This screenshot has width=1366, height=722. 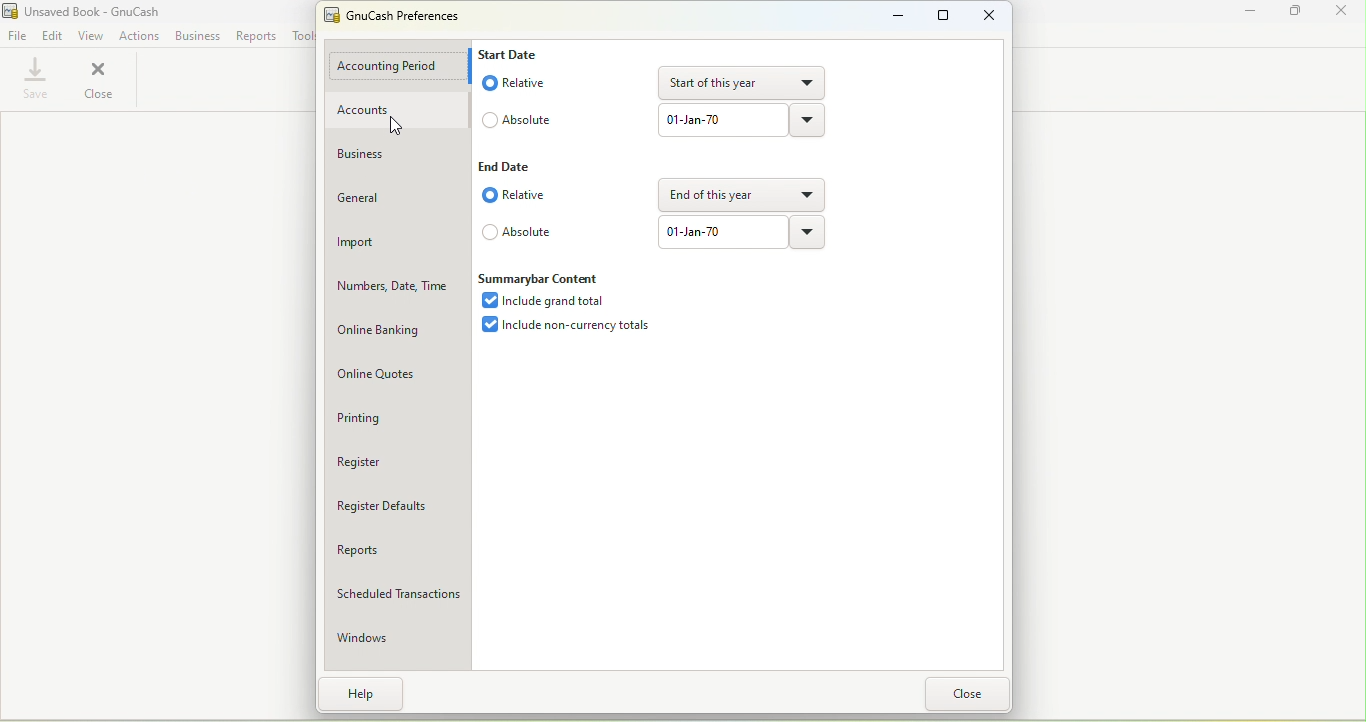 I want to click on Numbers, date, time, so click(x=397, y=287).